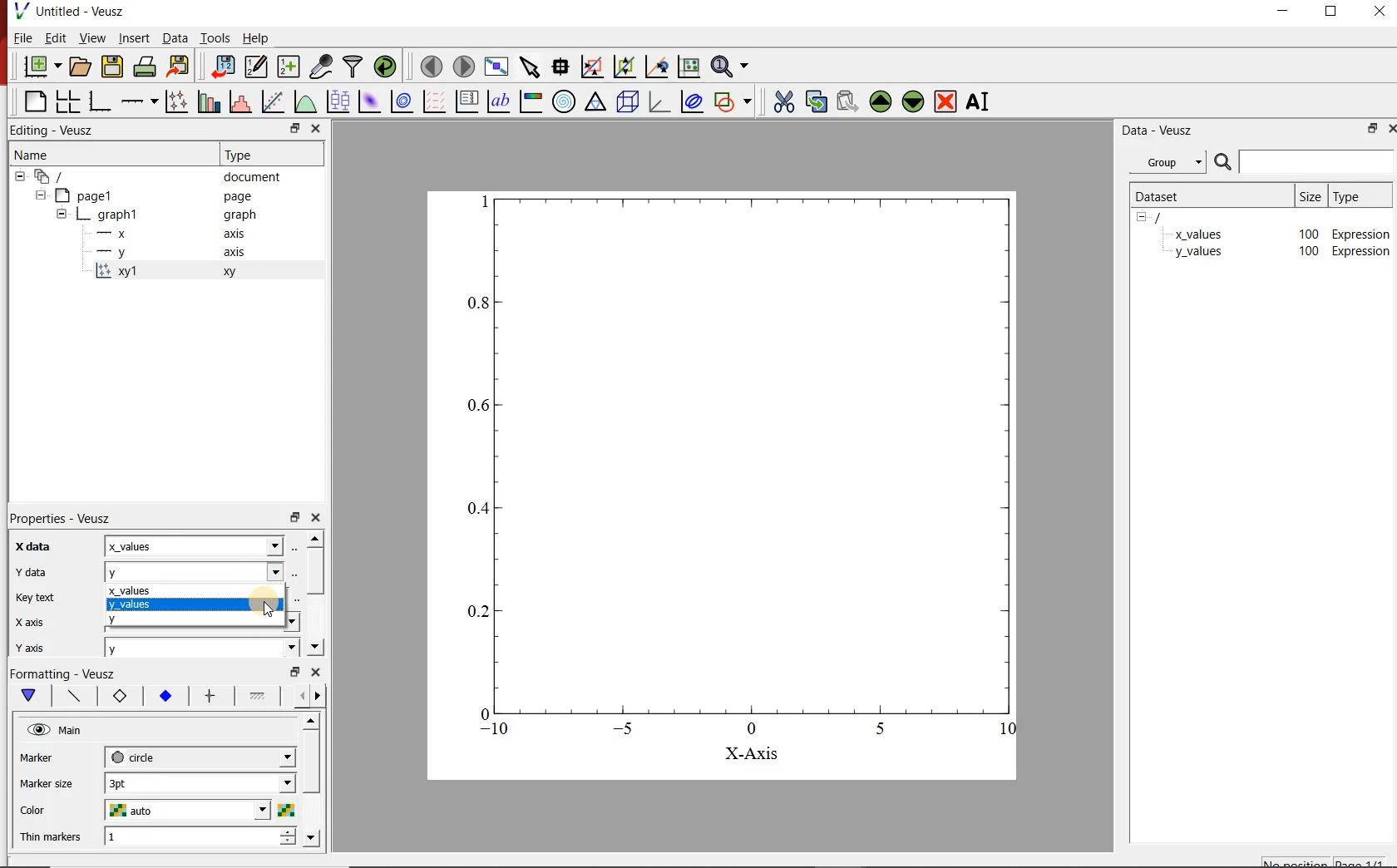  What do you see at coordinates (403, 101) in the screenshot?
I see `plot 2d dataset as contours` at bounding box center [403, 101].